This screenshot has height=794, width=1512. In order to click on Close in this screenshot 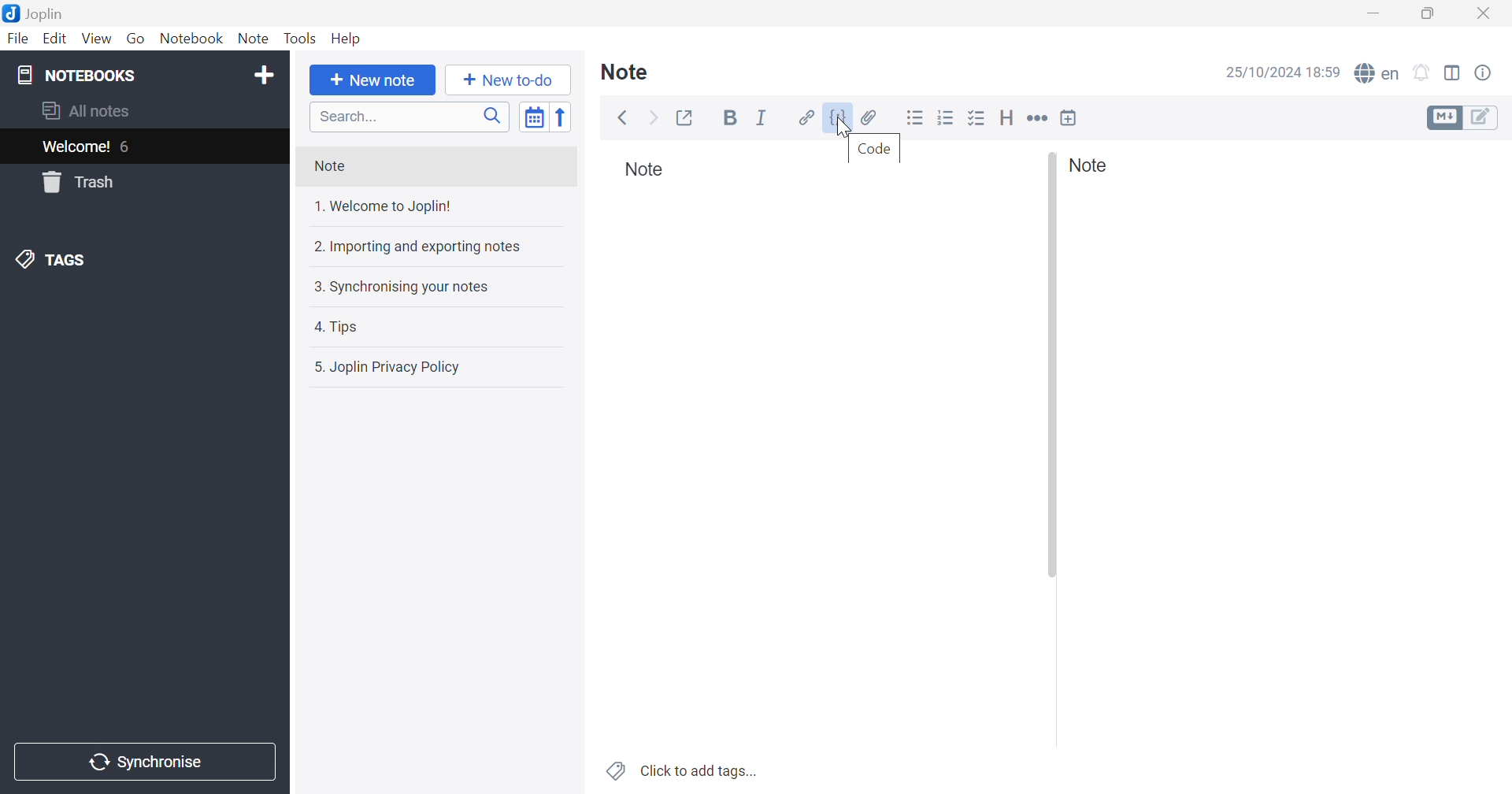, I will do `click(1488, 13)`.